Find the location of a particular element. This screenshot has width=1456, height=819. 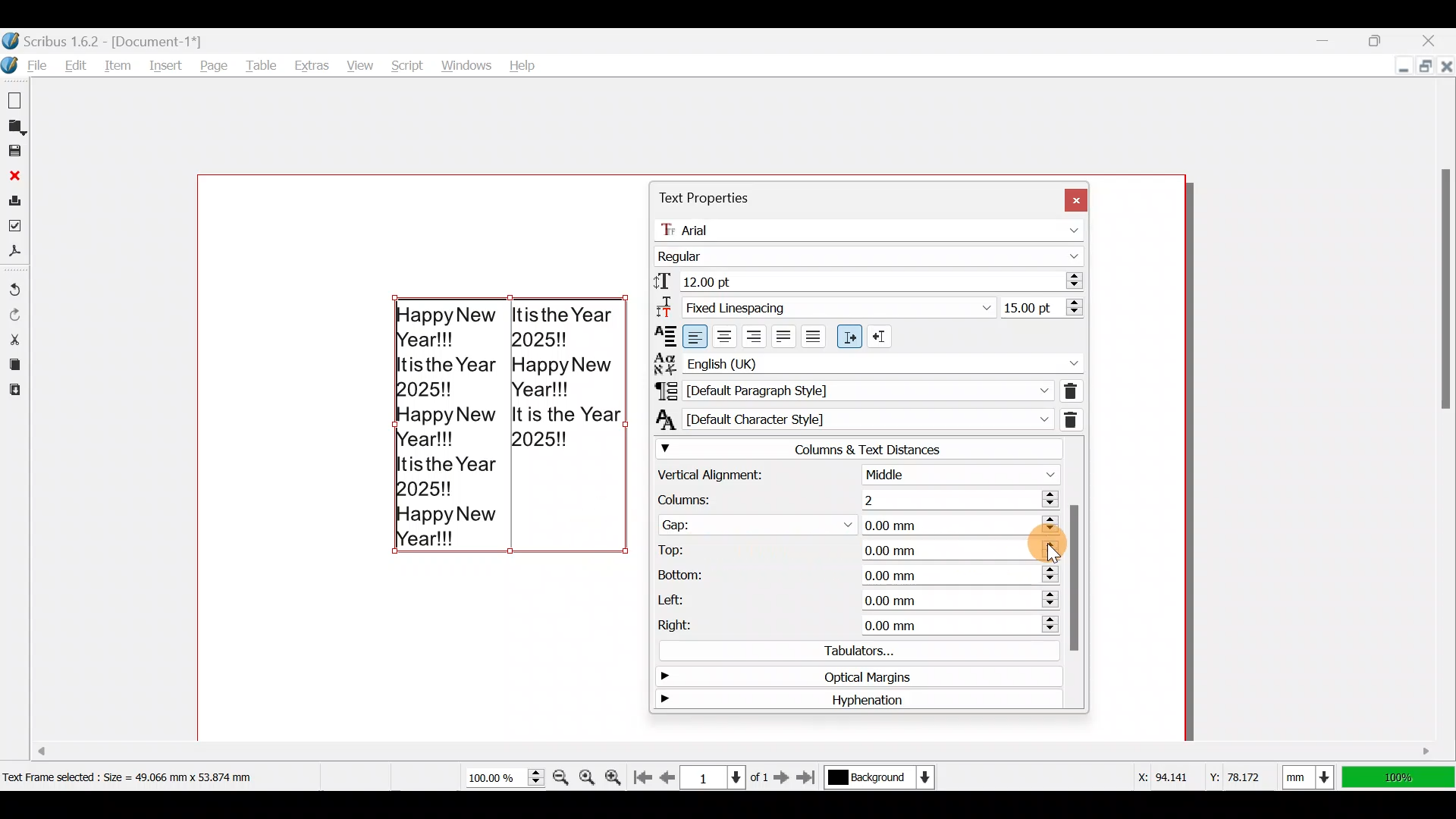

Hyphenation is located at coordinates (852, 701).